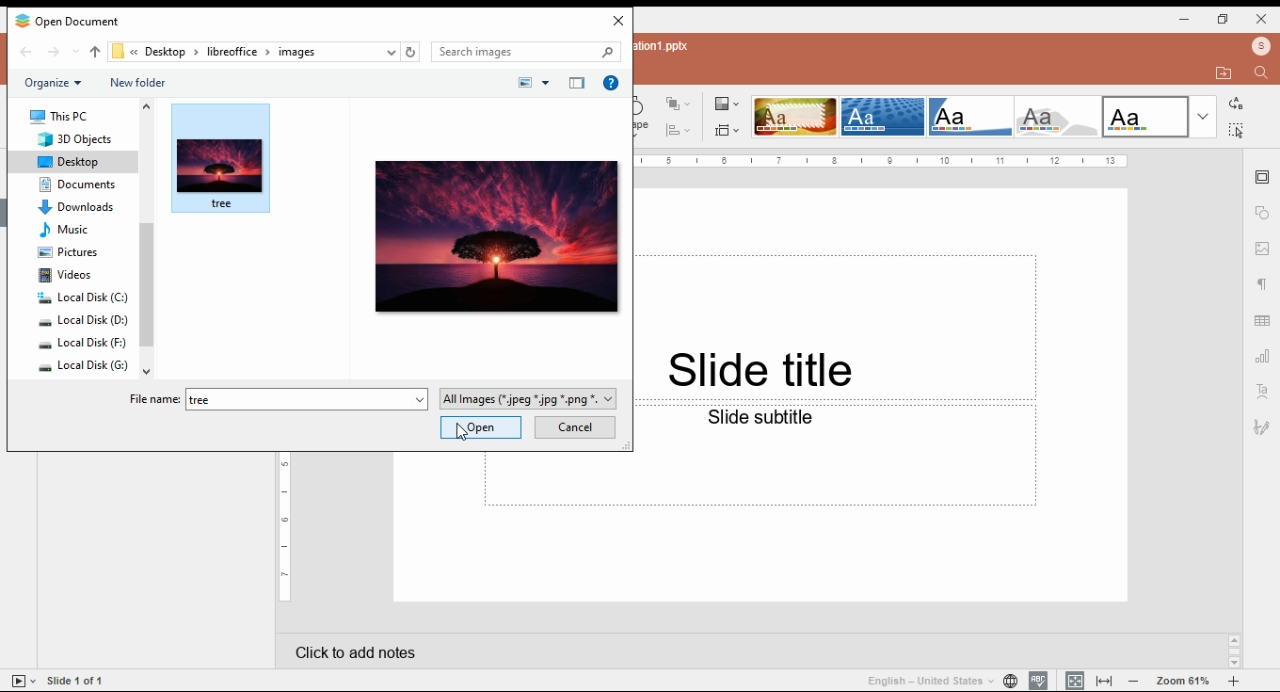 This screenshot has width=1280, height=692. What do you see at coordinates (1222, 20) in the screenshot?
I see `restore` at bounding box center [1222, 20].